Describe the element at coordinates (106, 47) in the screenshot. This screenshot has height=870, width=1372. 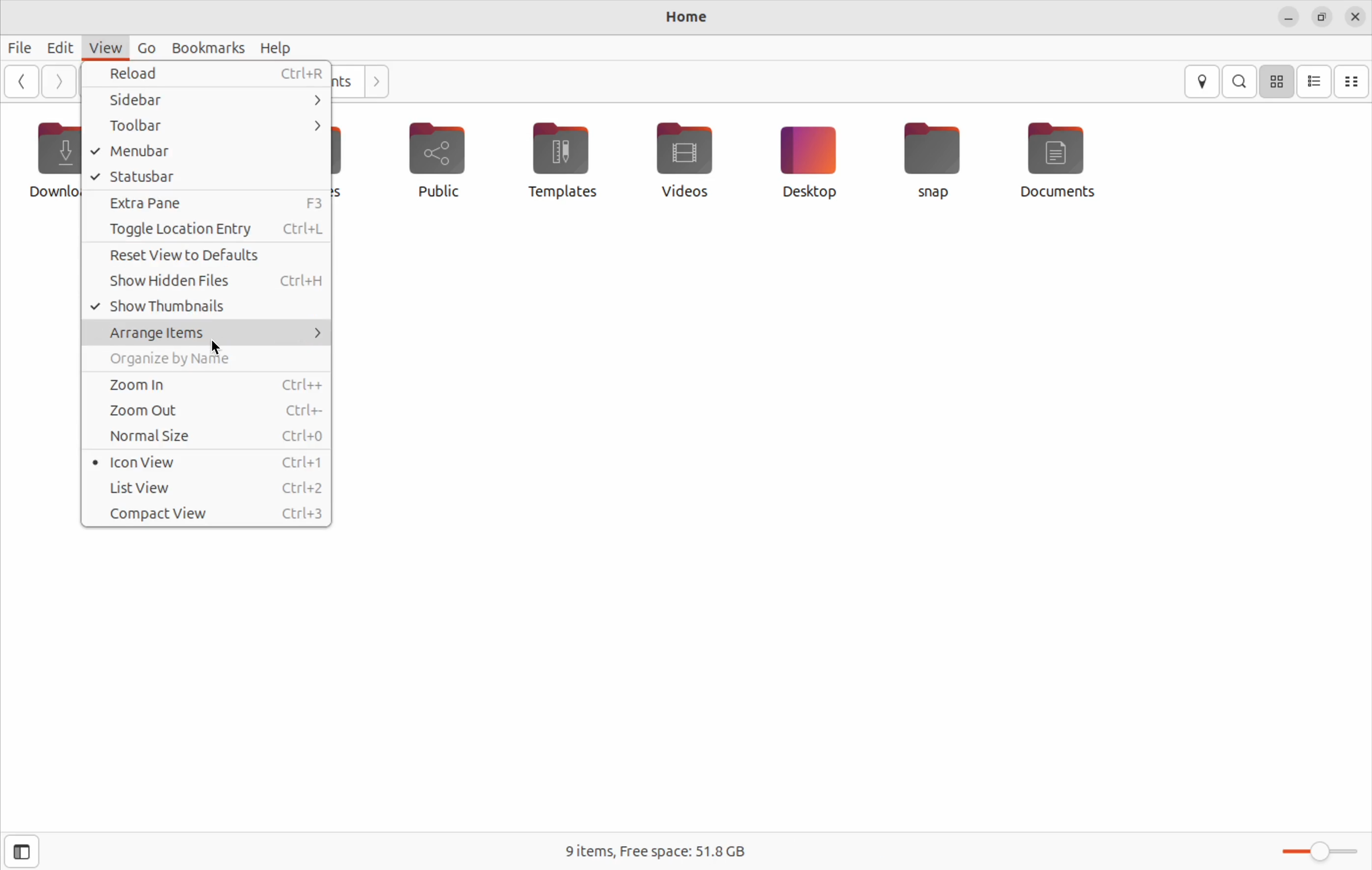
I see `view` at that location.